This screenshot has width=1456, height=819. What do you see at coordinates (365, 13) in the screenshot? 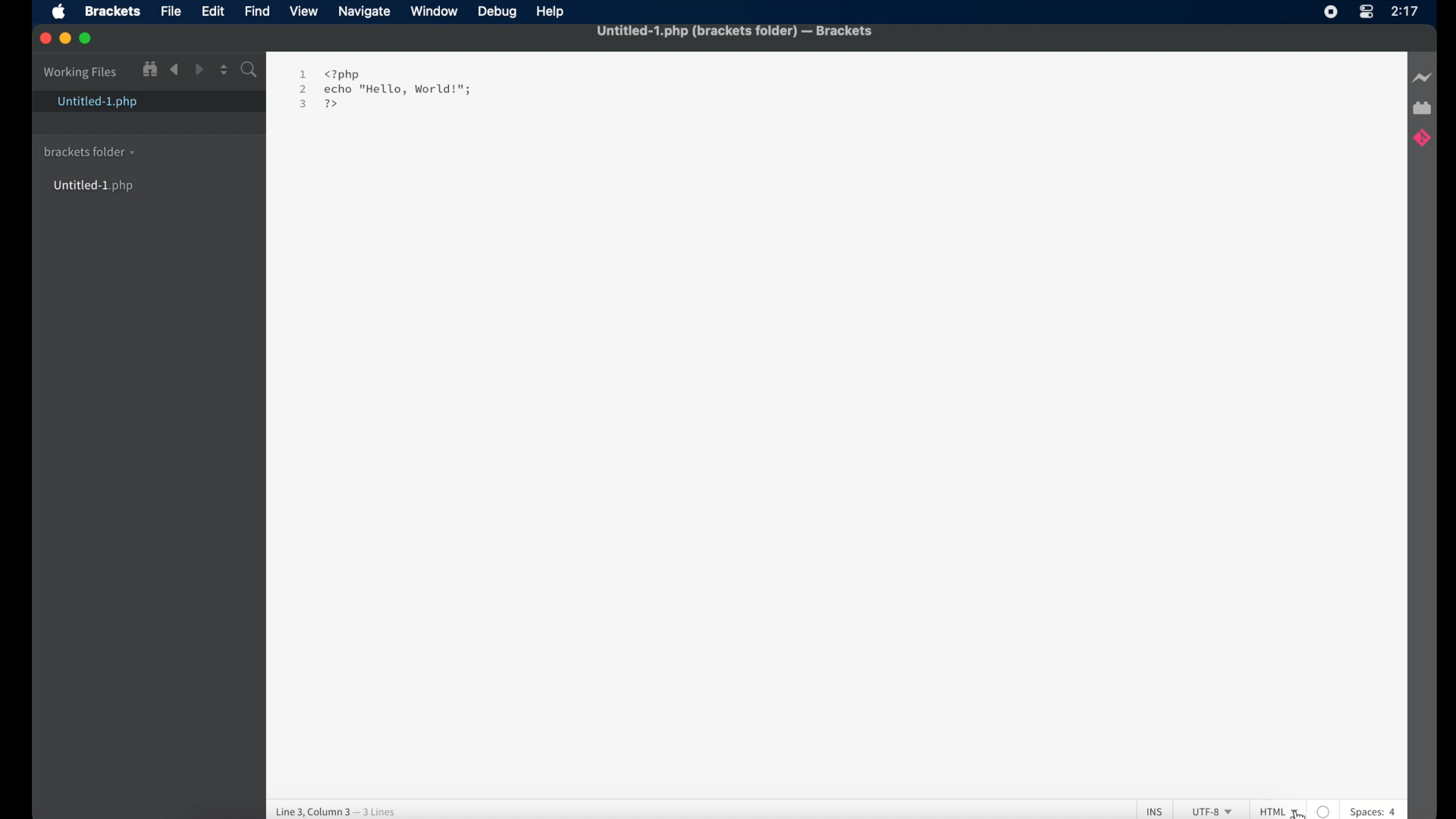
I see `navigate` at bounding box center [365, 13].